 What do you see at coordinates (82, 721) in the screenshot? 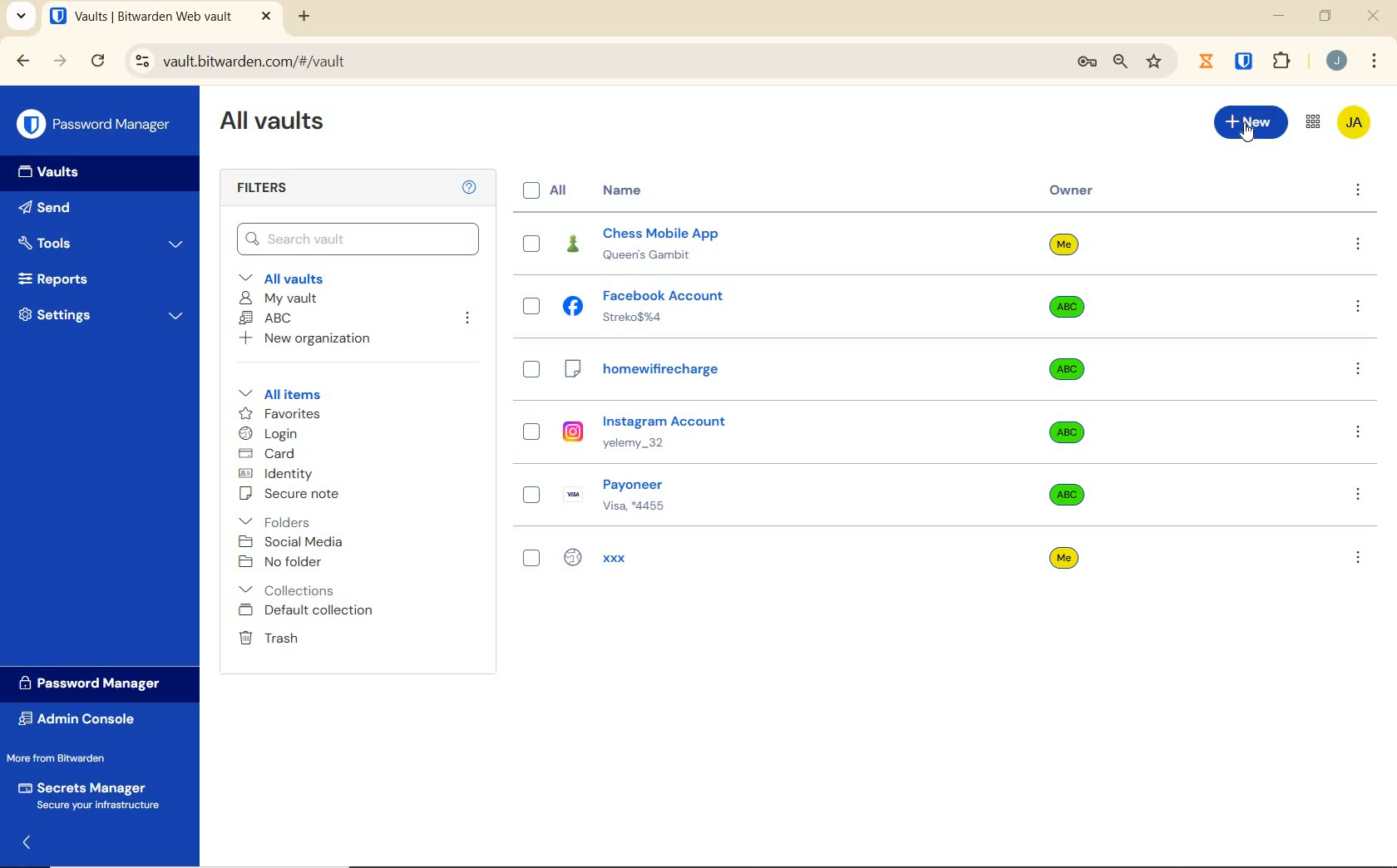
I see `Admin Console` at bounding box center [82, 721].